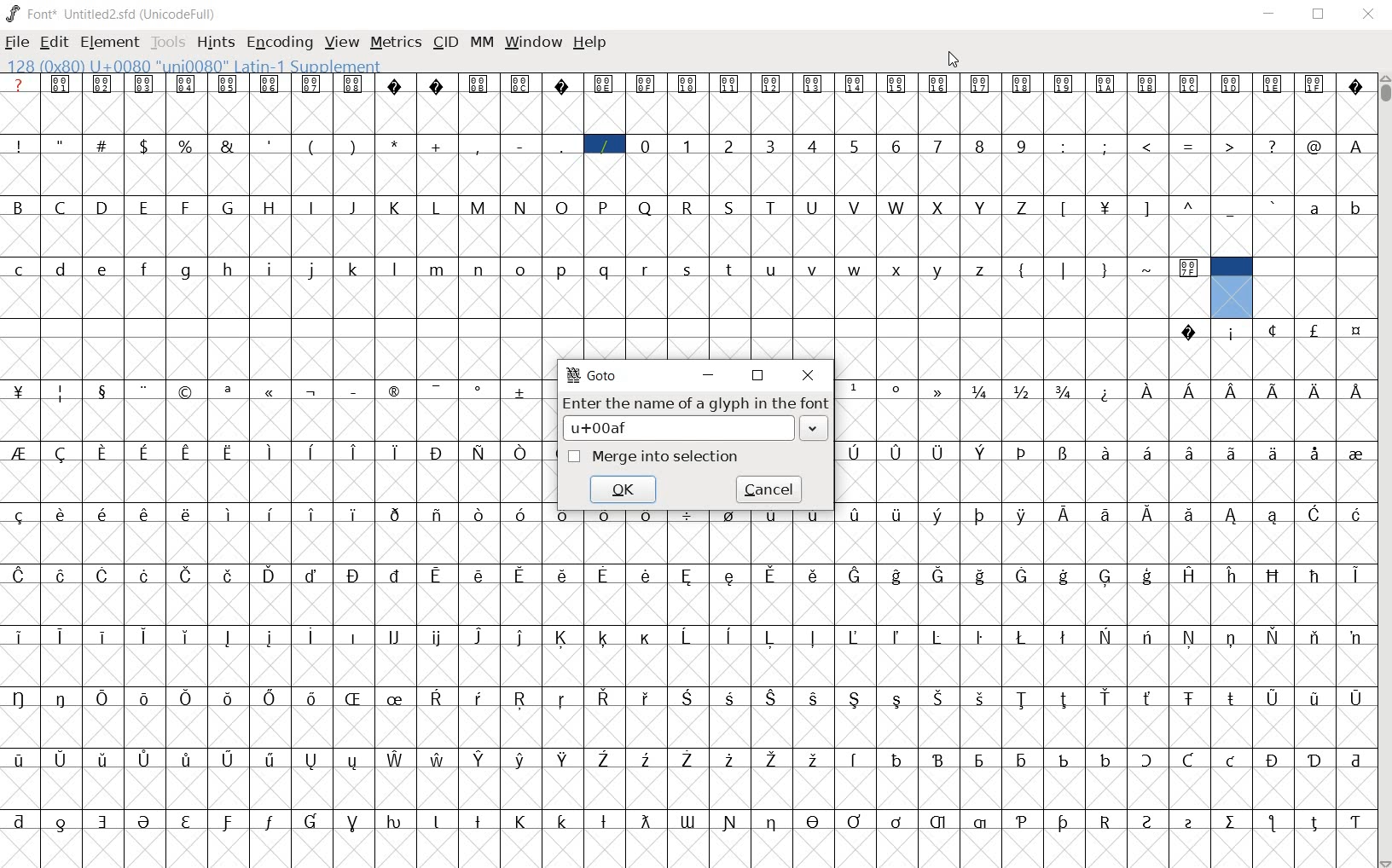  Describe the element at coordinates (1354, 636) in the screenshot. I see `Symbol` at that location.